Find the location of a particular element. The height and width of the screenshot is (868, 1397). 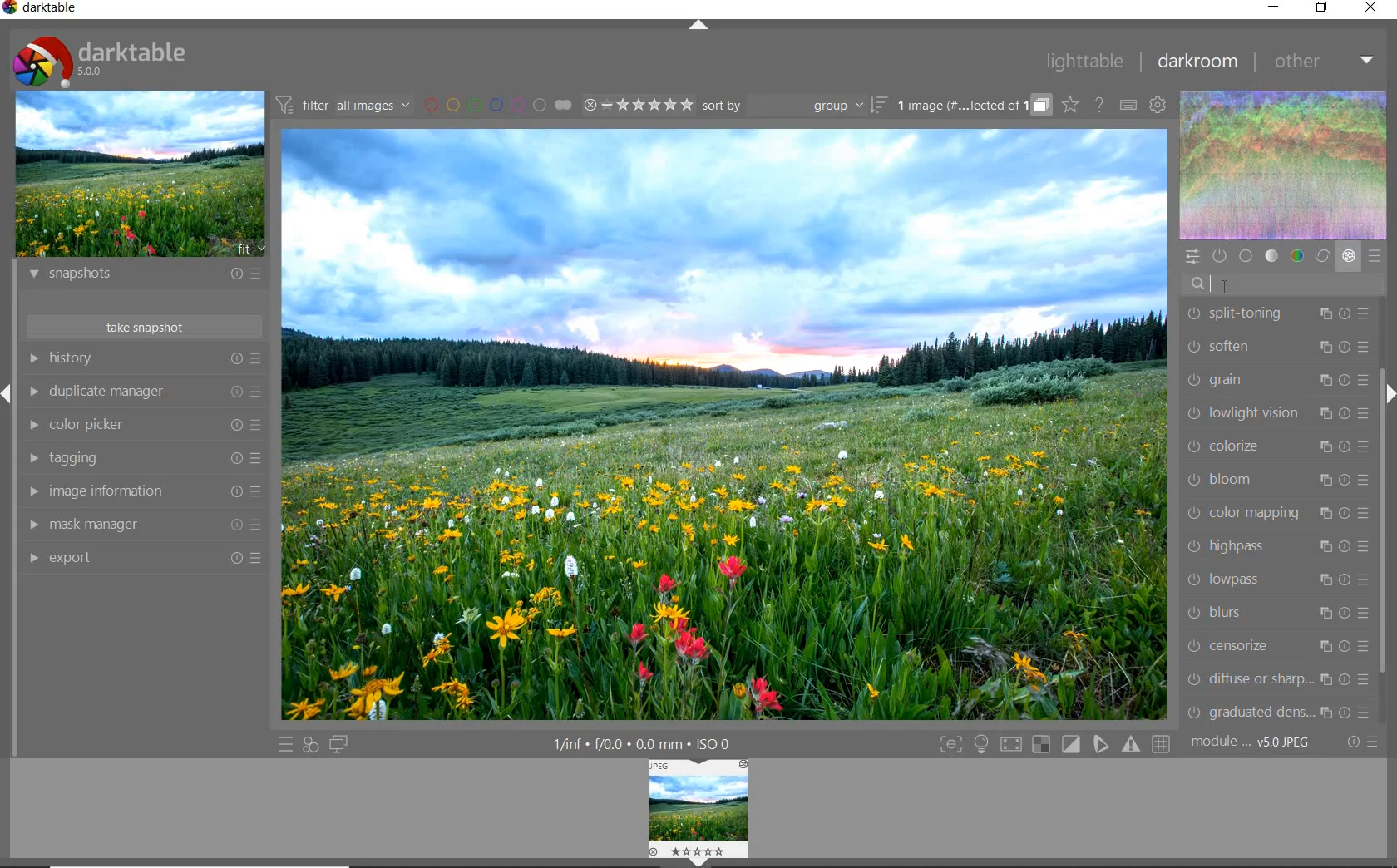

grain is located at coordinates (1276, 382).